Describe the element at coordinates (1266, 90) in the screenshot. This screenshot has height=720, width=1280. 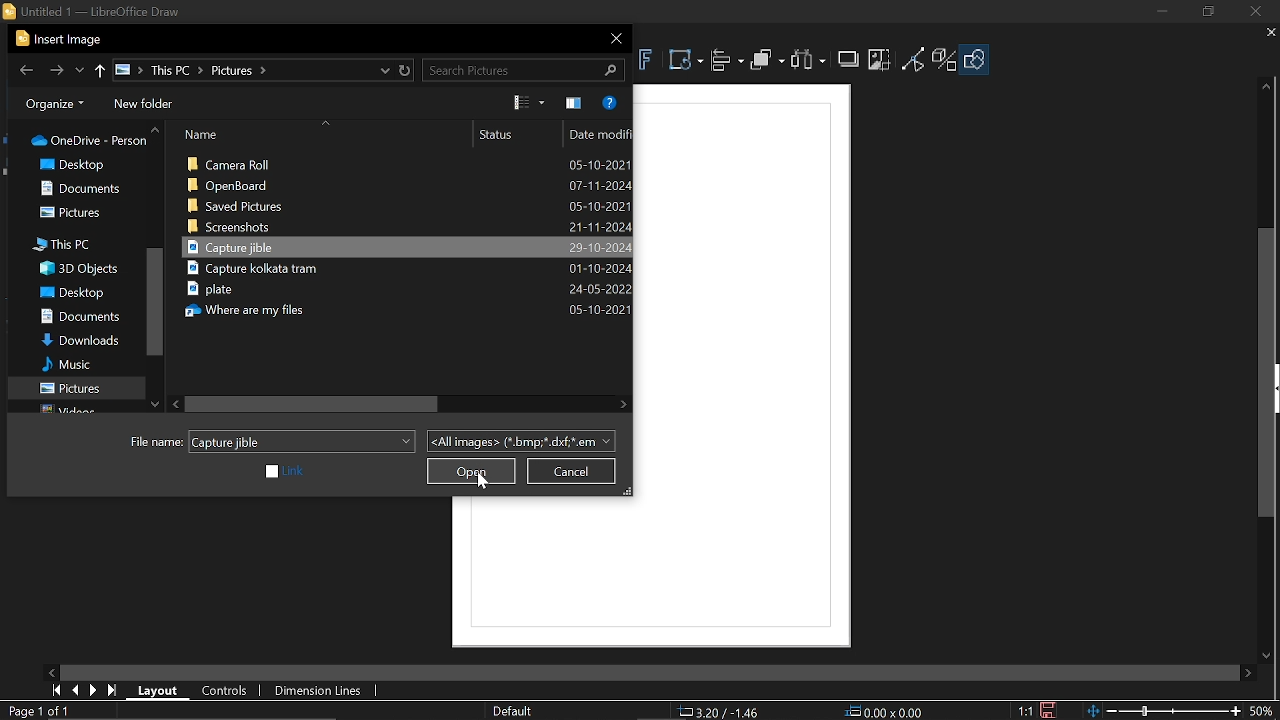
I see `Move up` at that location.